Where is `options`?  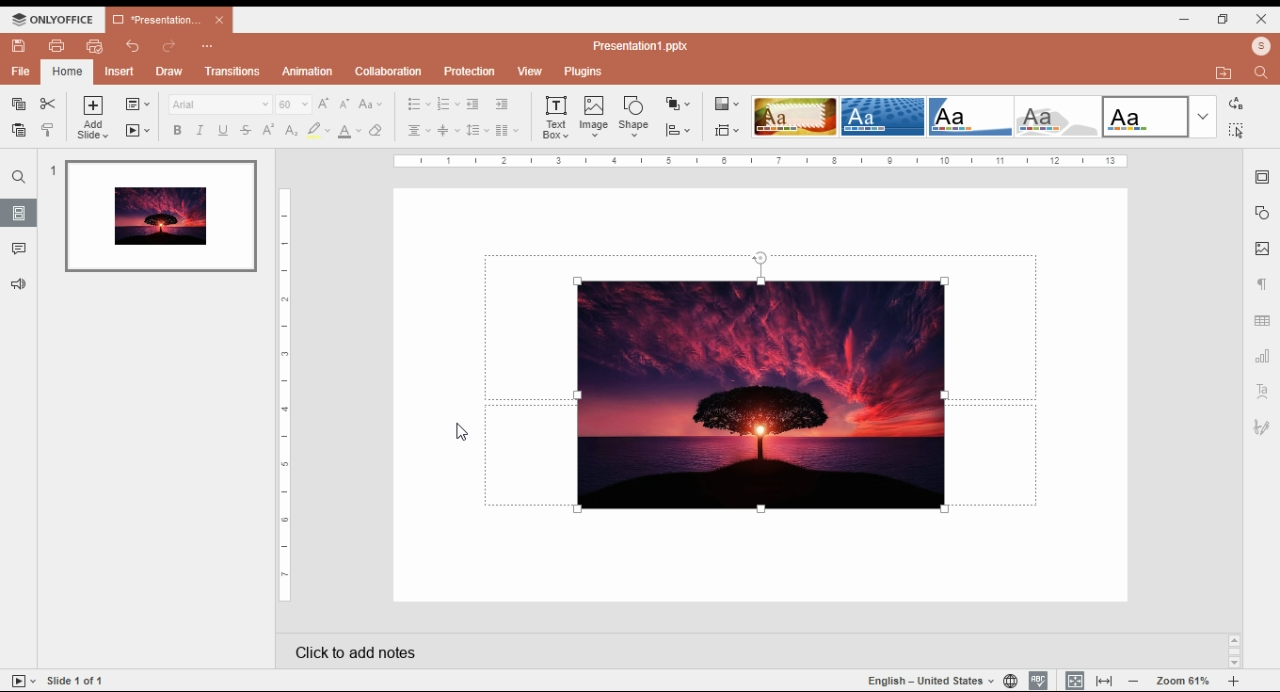
options is located at coordinates (208, 47).